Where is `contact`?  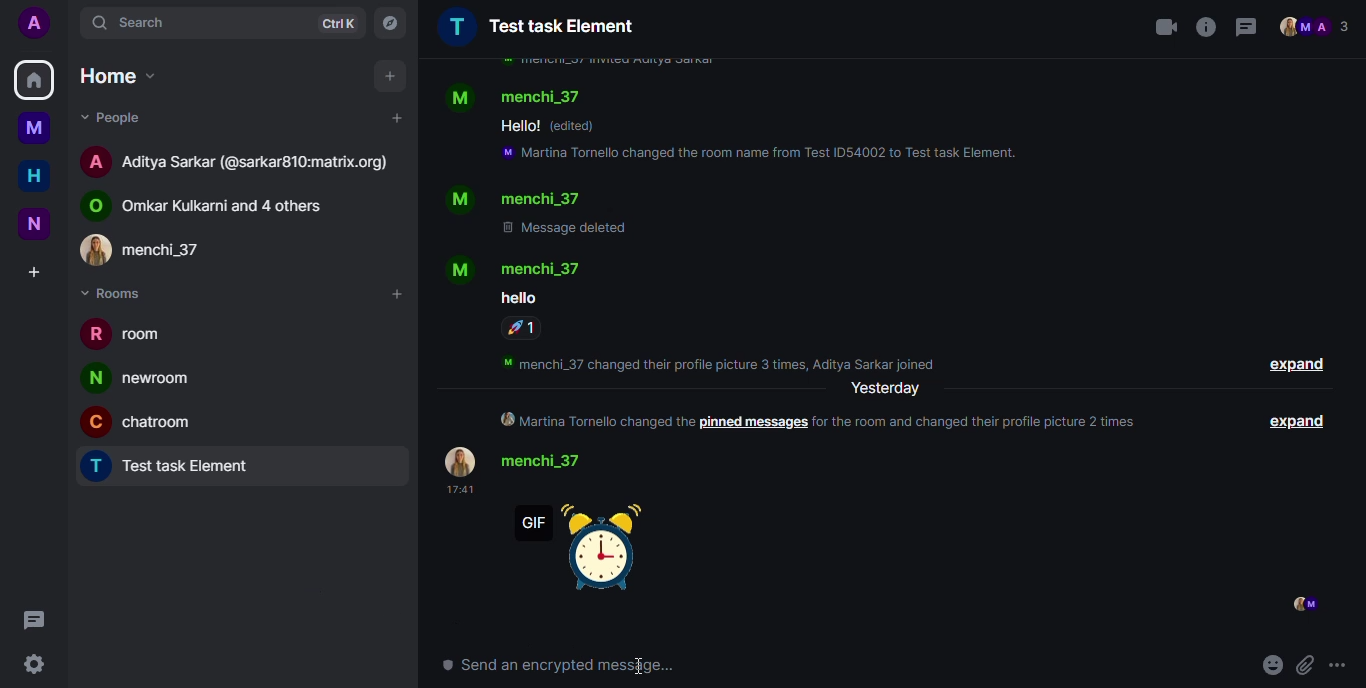 contact is located at coordinates (515, 199).